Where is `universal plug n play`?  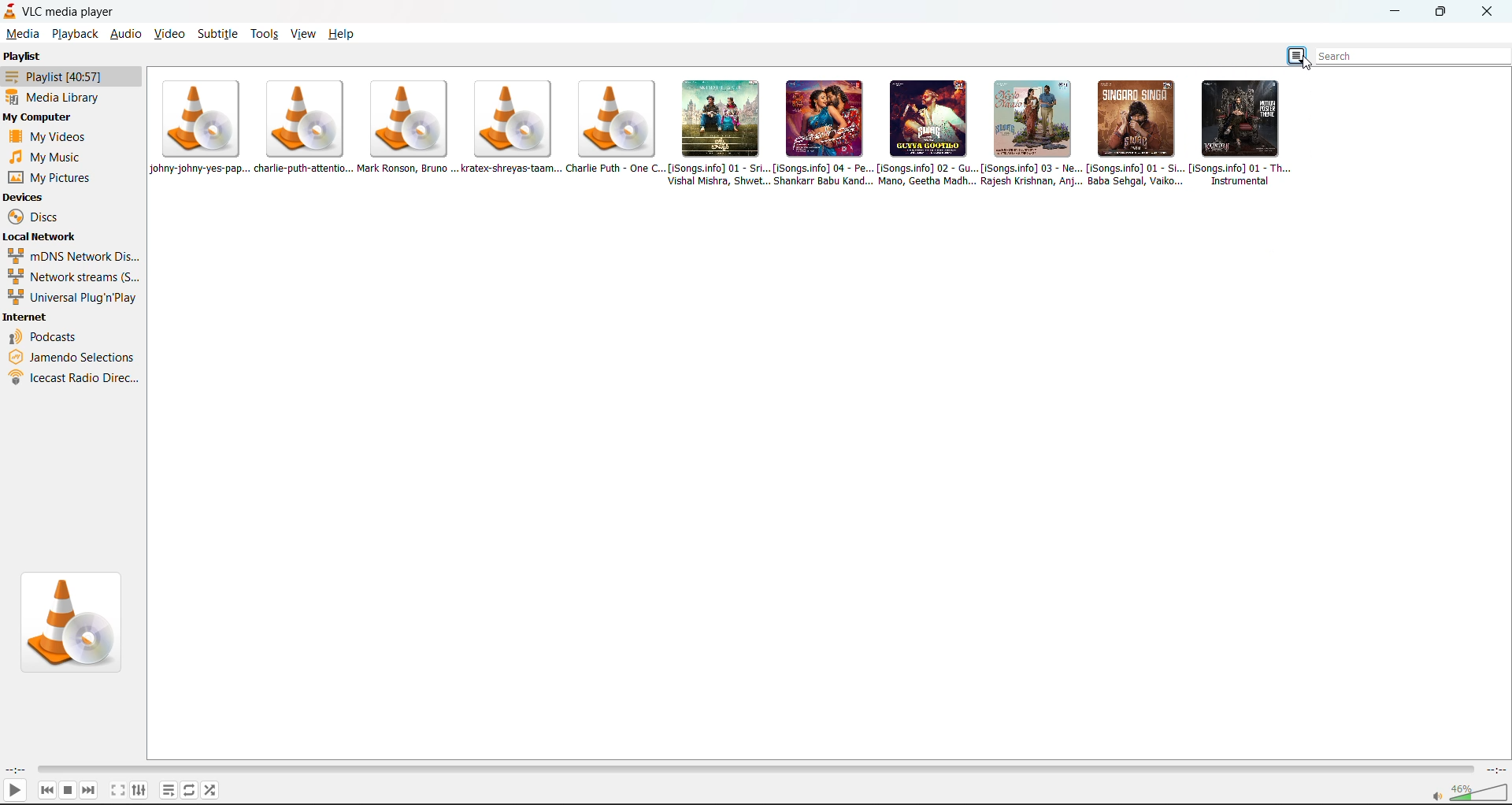
universal plug n play is located at coordinates (72, 299).